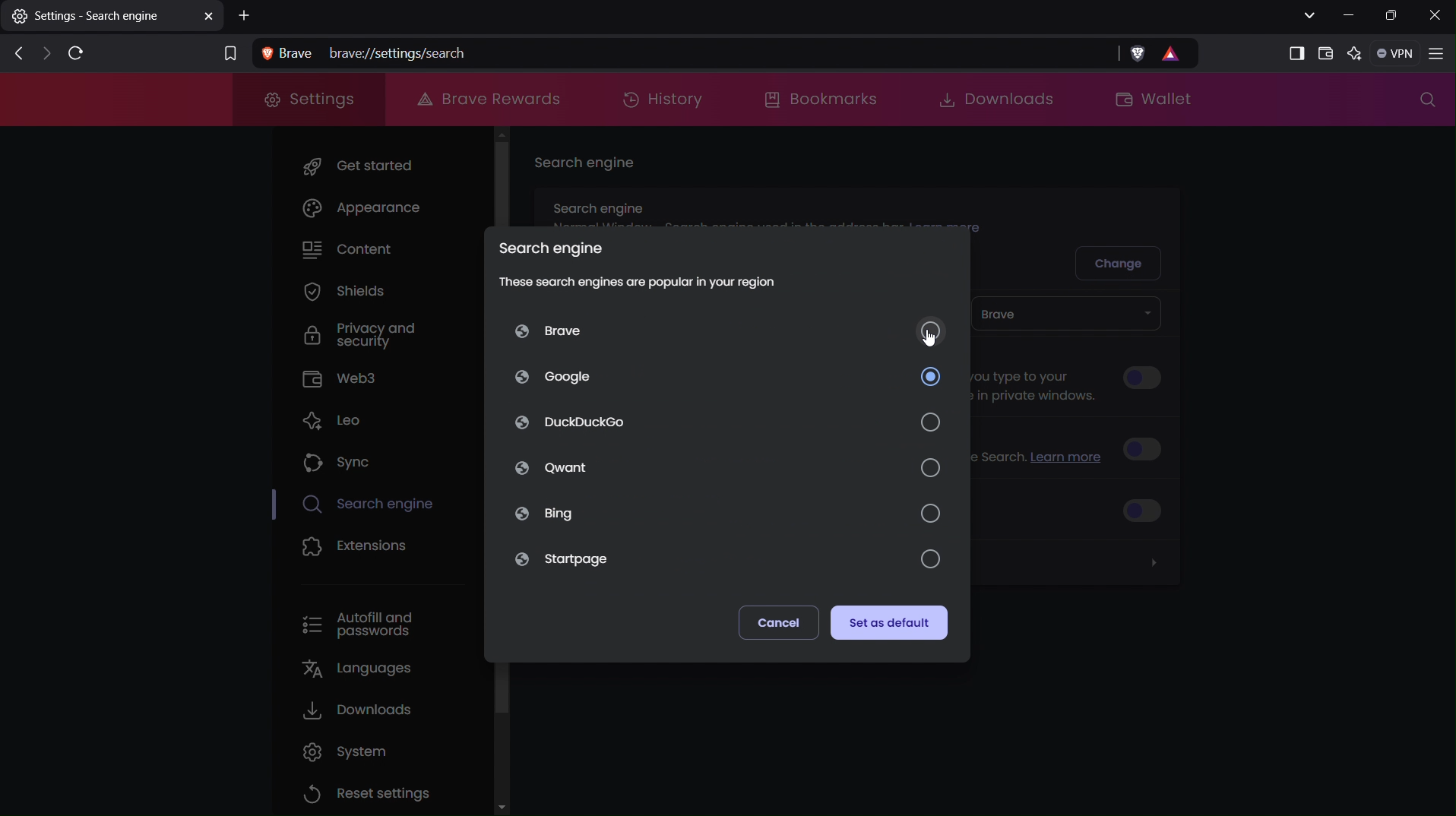 Image resolution: width=1456 pixels, height=816 pixels. Describe the element at coordinates (347, 337) in the screenshot. I see `Privacy and Security` at that location.